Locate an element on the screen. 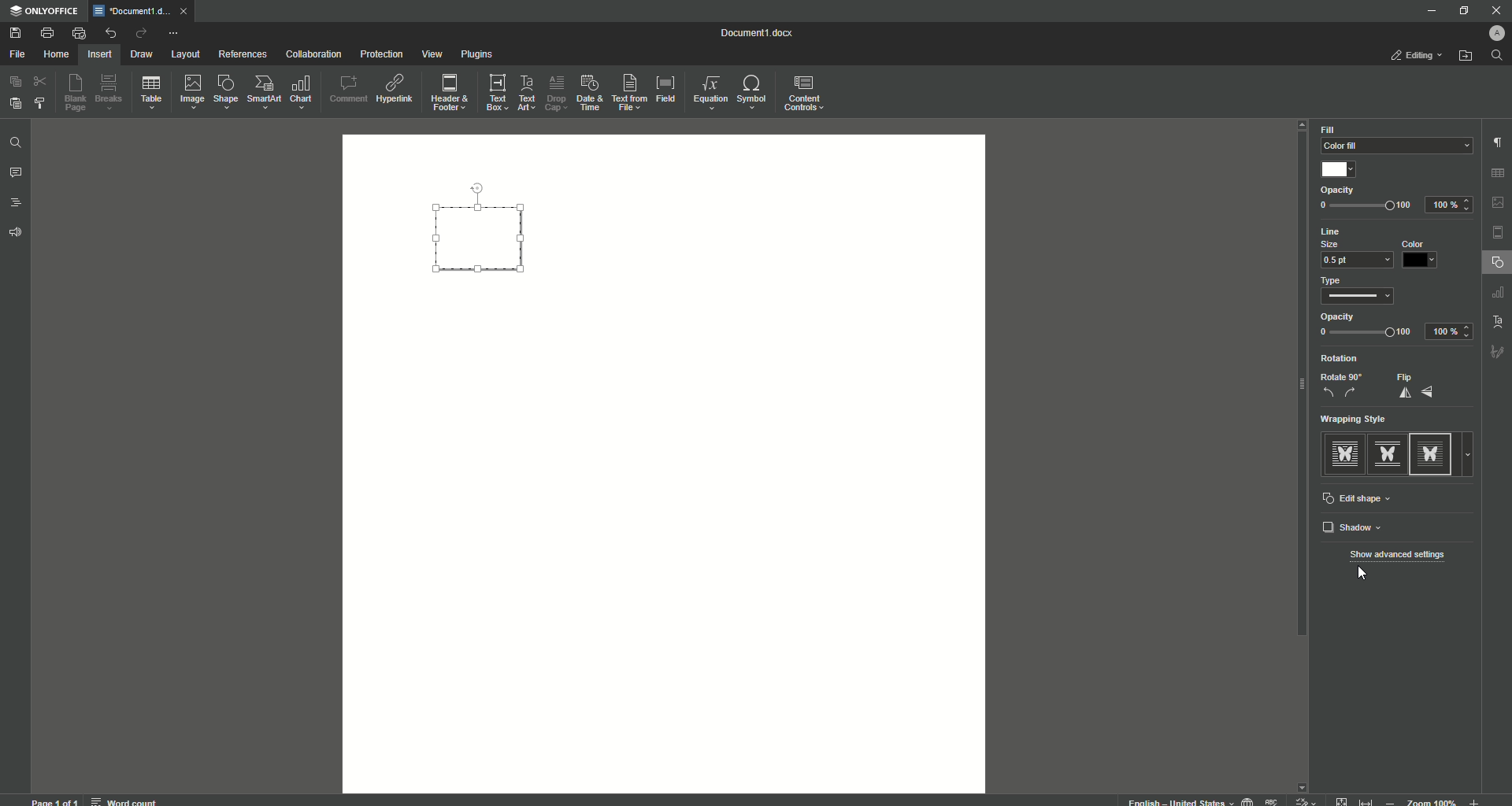 Image resolution: width=1512 pixels, height=806 pixels. Chart is located at coordinates (302, 92).